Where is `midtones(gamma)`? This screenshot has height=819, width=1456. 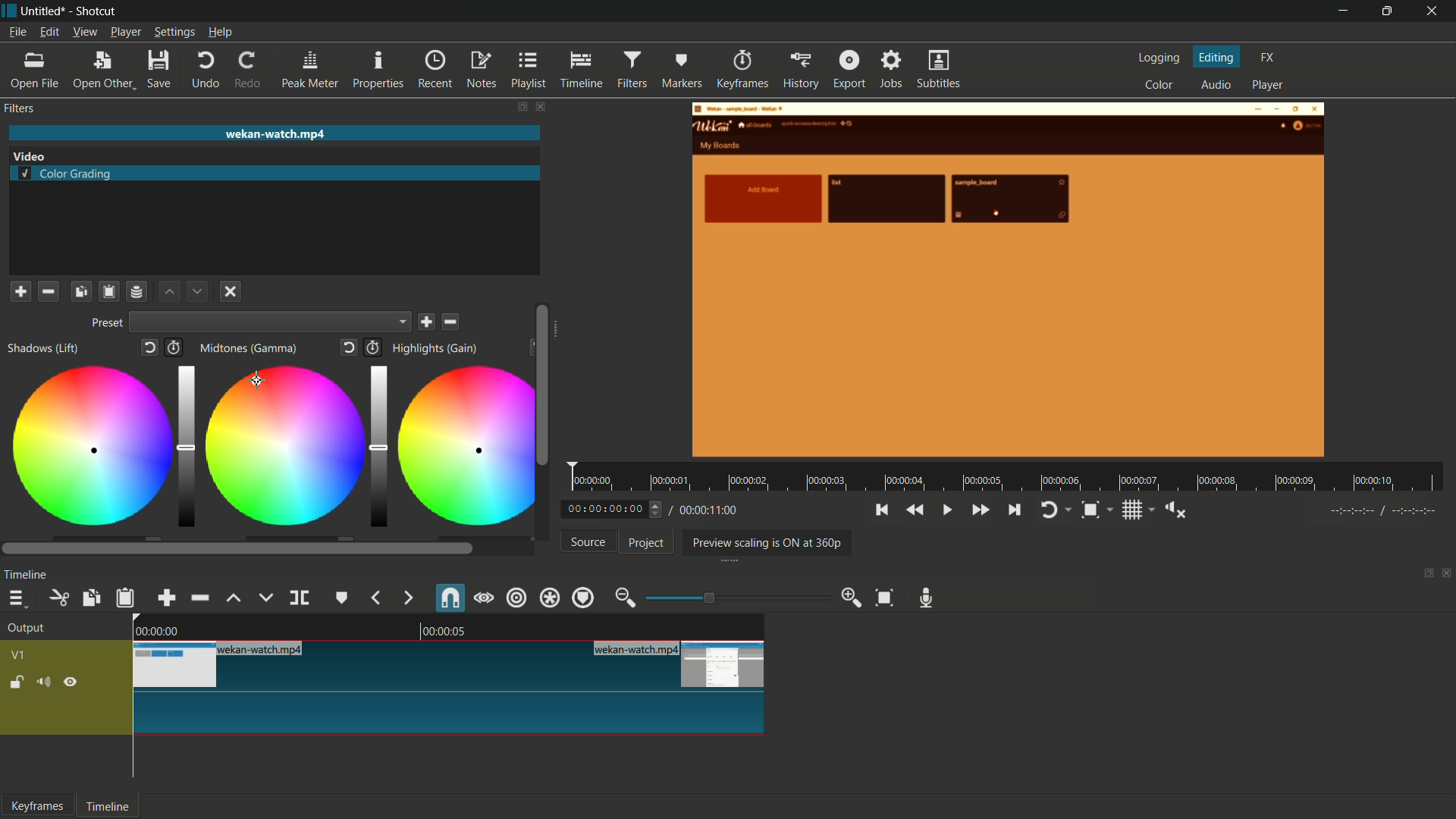
midtones(gamma) is located at coordinates (248, 348).